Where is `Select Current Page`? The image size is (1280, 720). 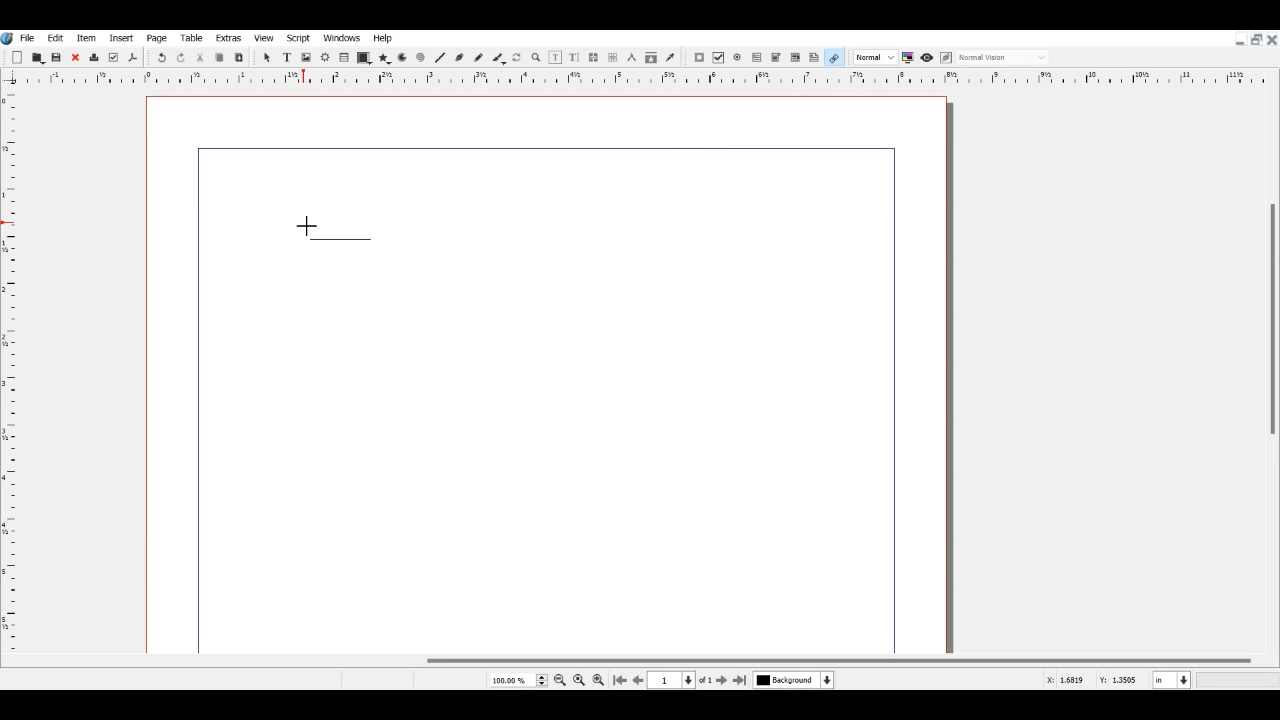 Select Current Page is located at coordinates (518, 680).